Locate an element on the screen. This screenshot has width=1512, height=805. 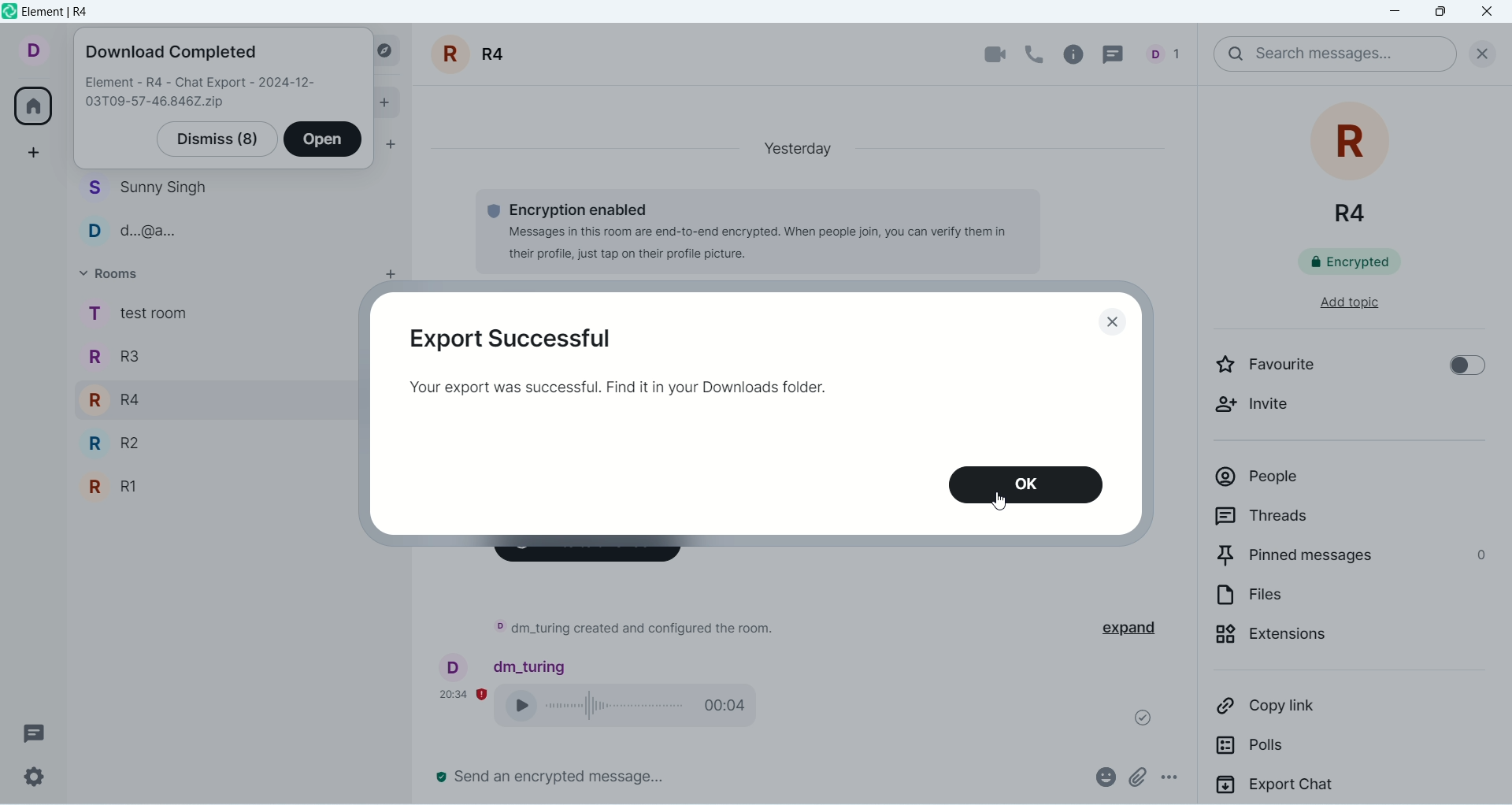
message sent is located at coordinates (1136, 714).